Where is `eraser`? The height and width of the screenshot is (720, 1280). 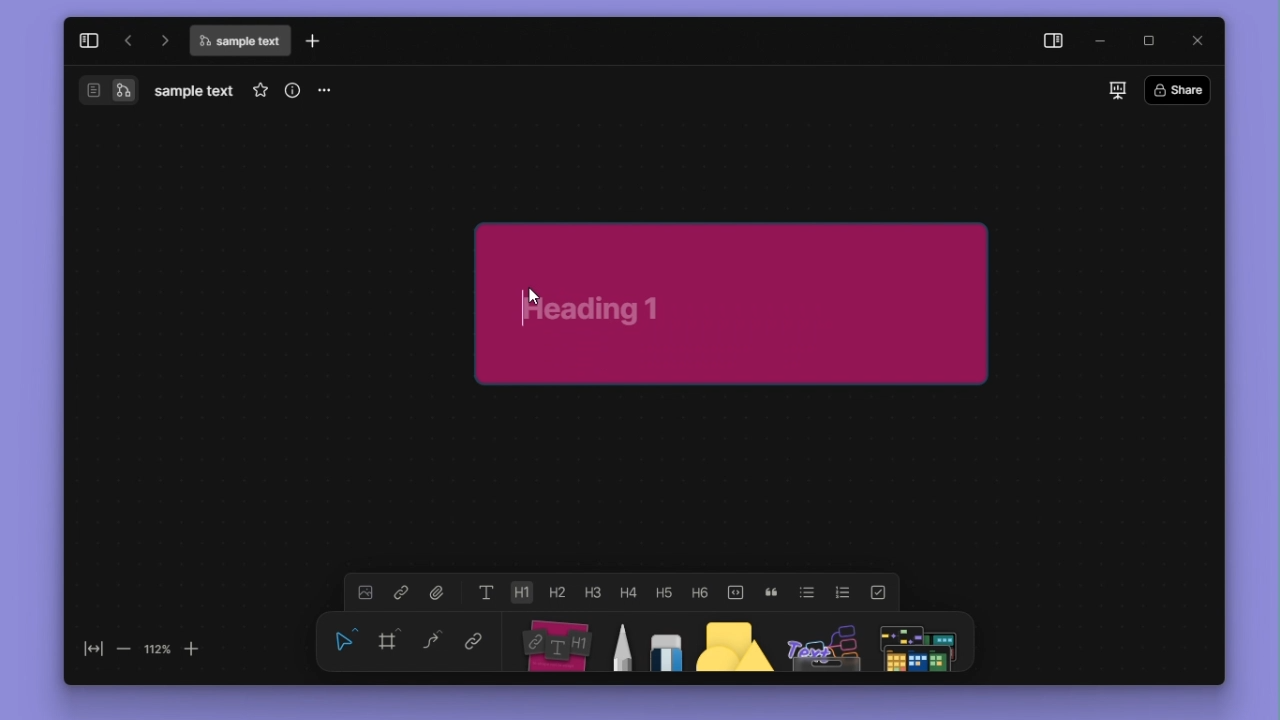
eraser is located at coordinates (666, 642).